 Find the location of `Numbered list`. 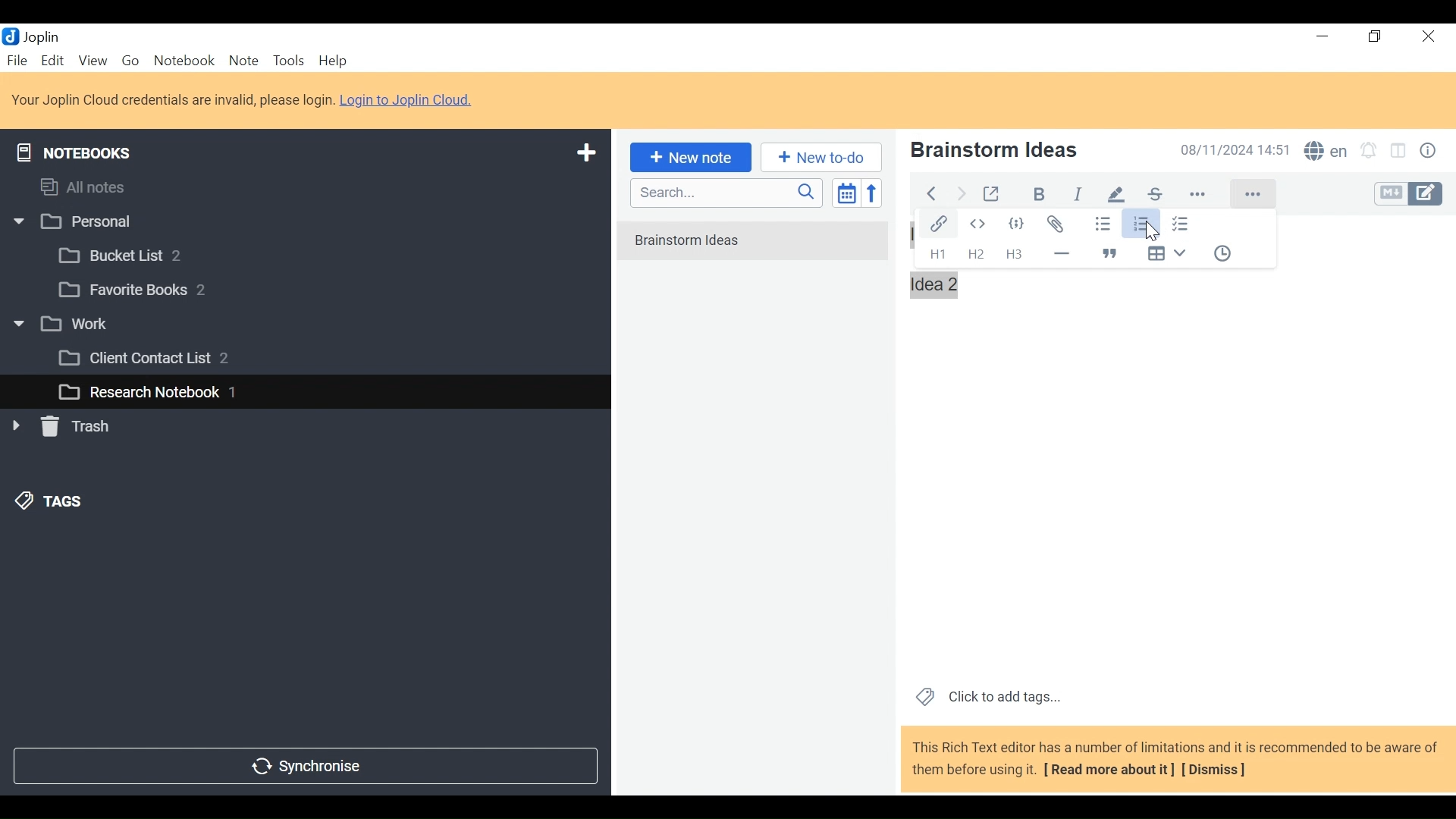

Numbered list is located at coordinates (1141, 224).